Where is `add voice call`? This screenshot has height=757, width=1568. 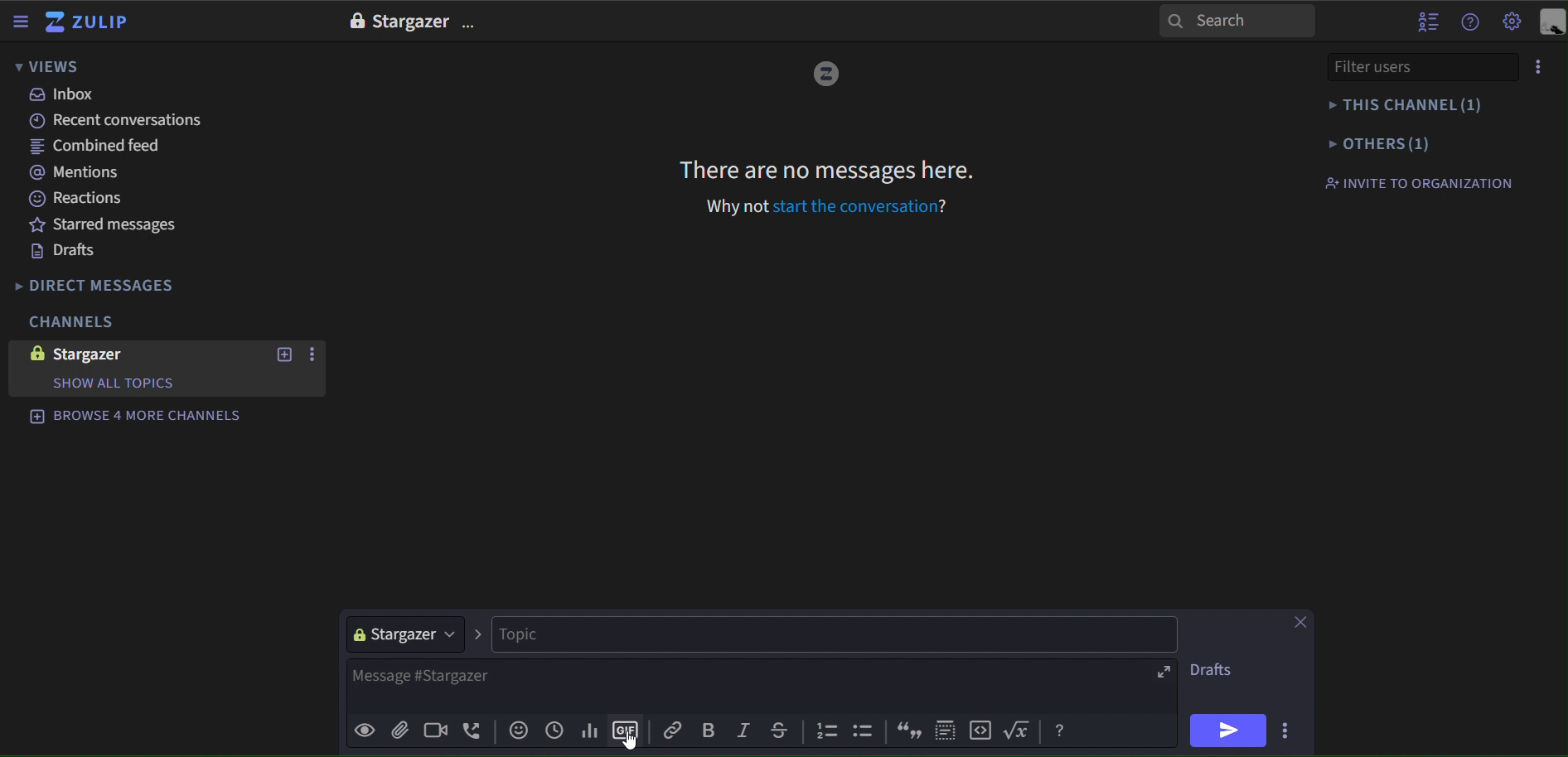 add voice call is located at coordinates (473, 731).